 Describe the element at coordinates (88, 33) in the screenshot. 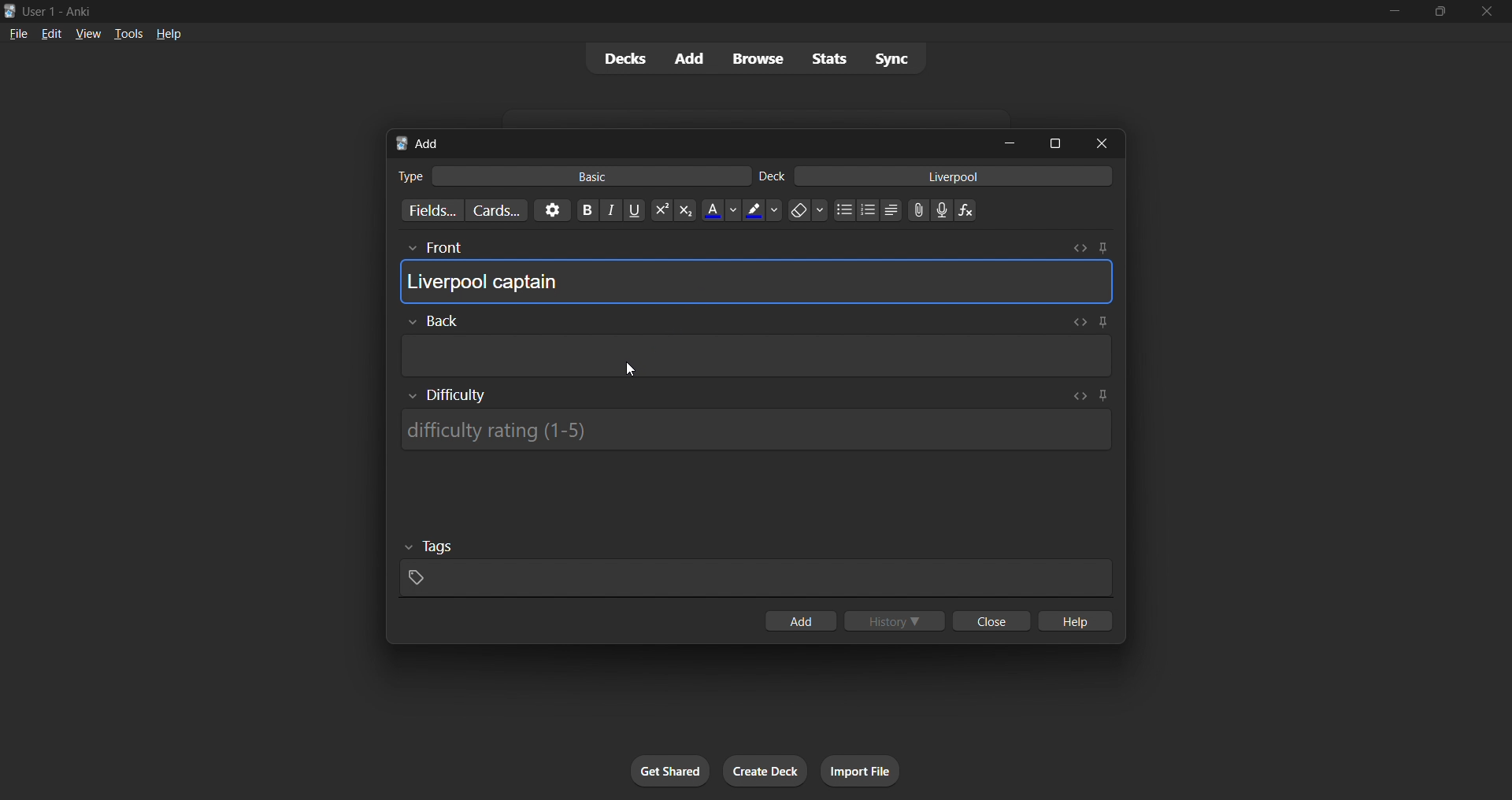

I see `view` at that location.